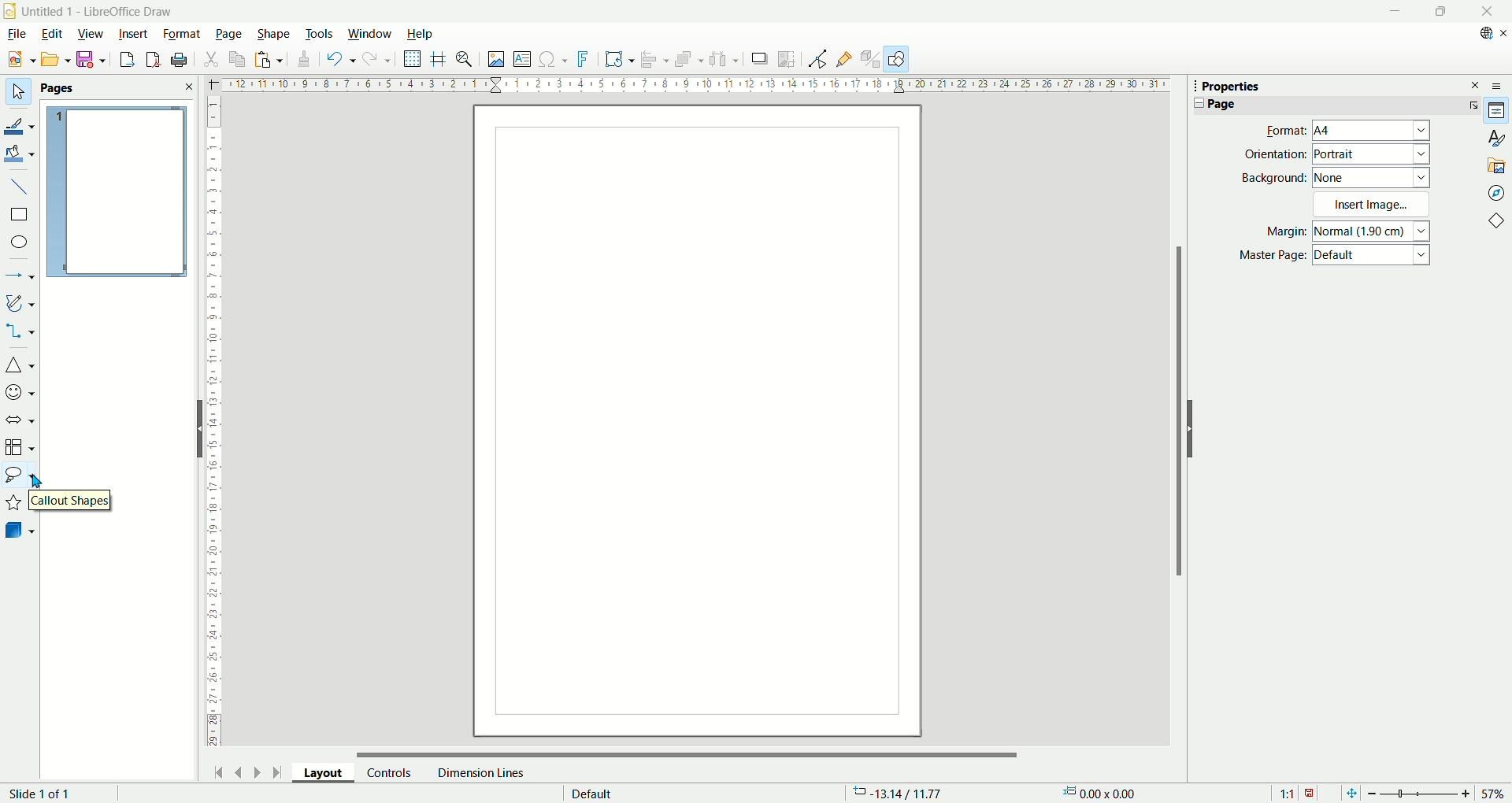 The image size is (1512, 803). What do you see at coordinates (67, 499) in the screenshot?
I see `callout shapes` at bounding box center [67, 499].